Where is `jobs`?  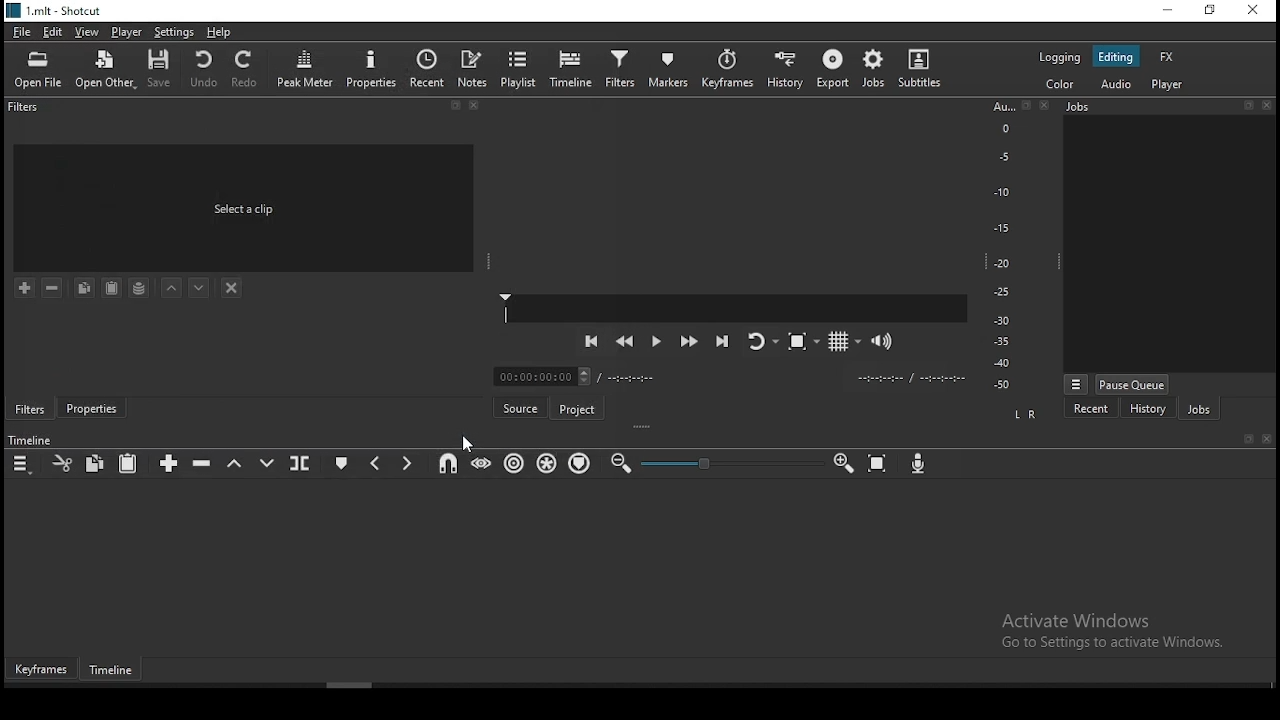
jobs is located at coordinates (872, 69).